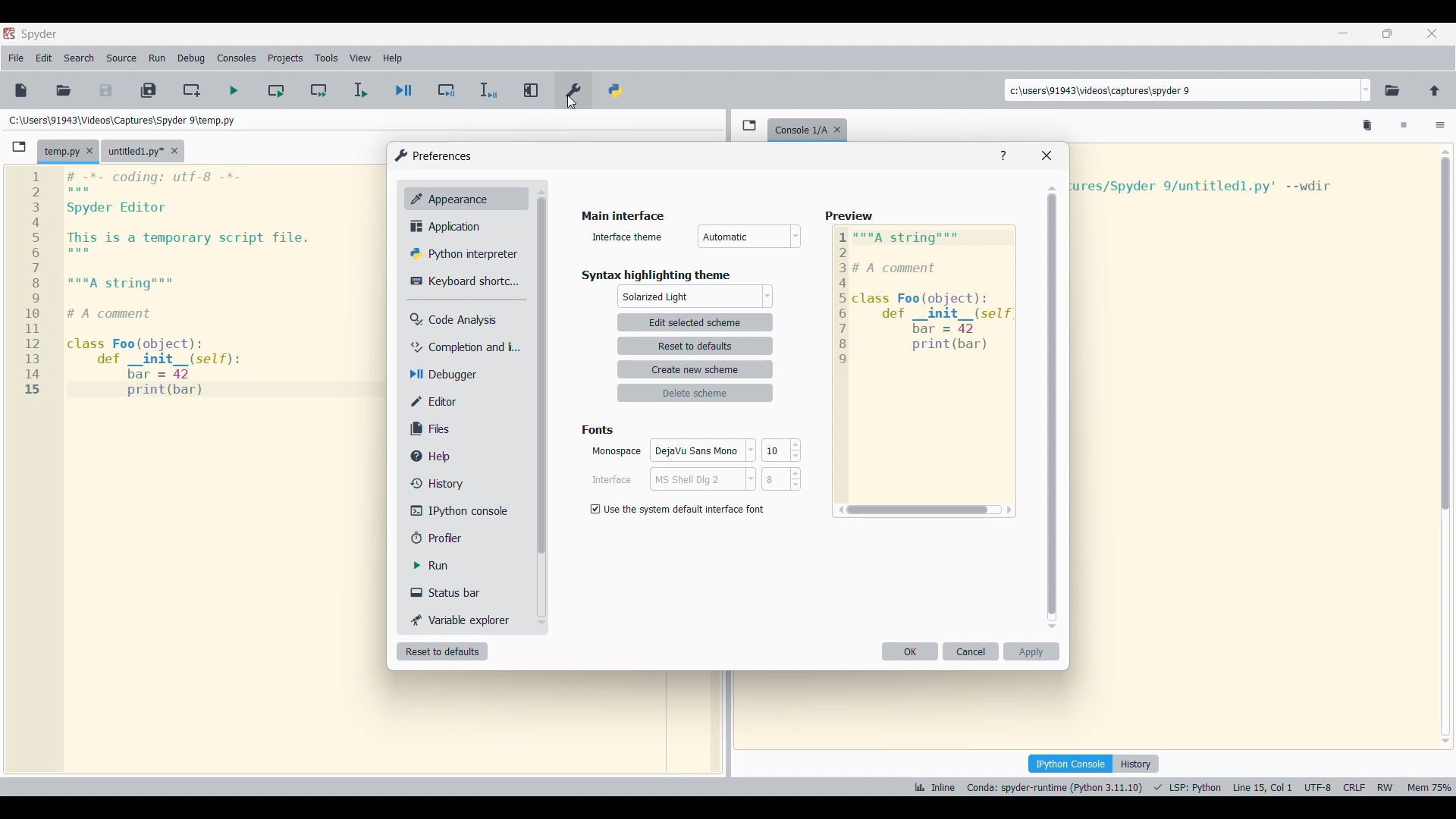 The image size is (1456, 819). I want to click on Interface theme options, so click(750, 237).